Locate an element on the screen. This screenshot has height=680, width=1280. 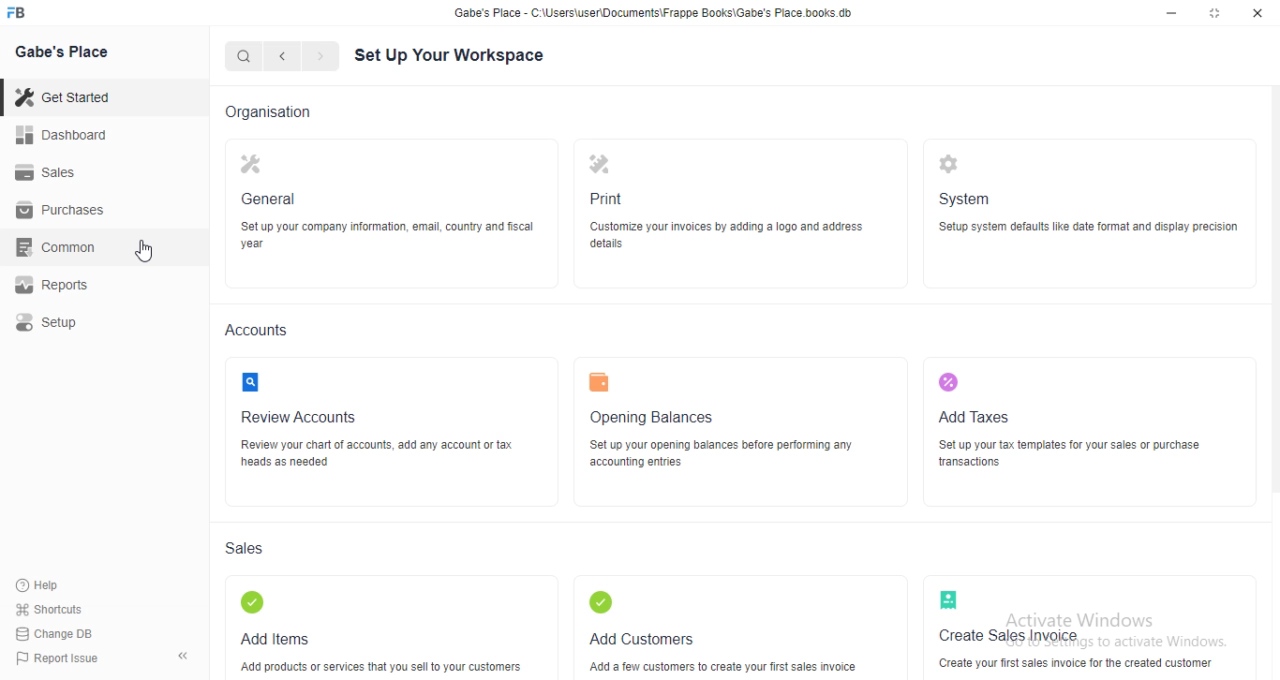
‘Add products or services that you sell to your customers is located at coordinates (382, 667).